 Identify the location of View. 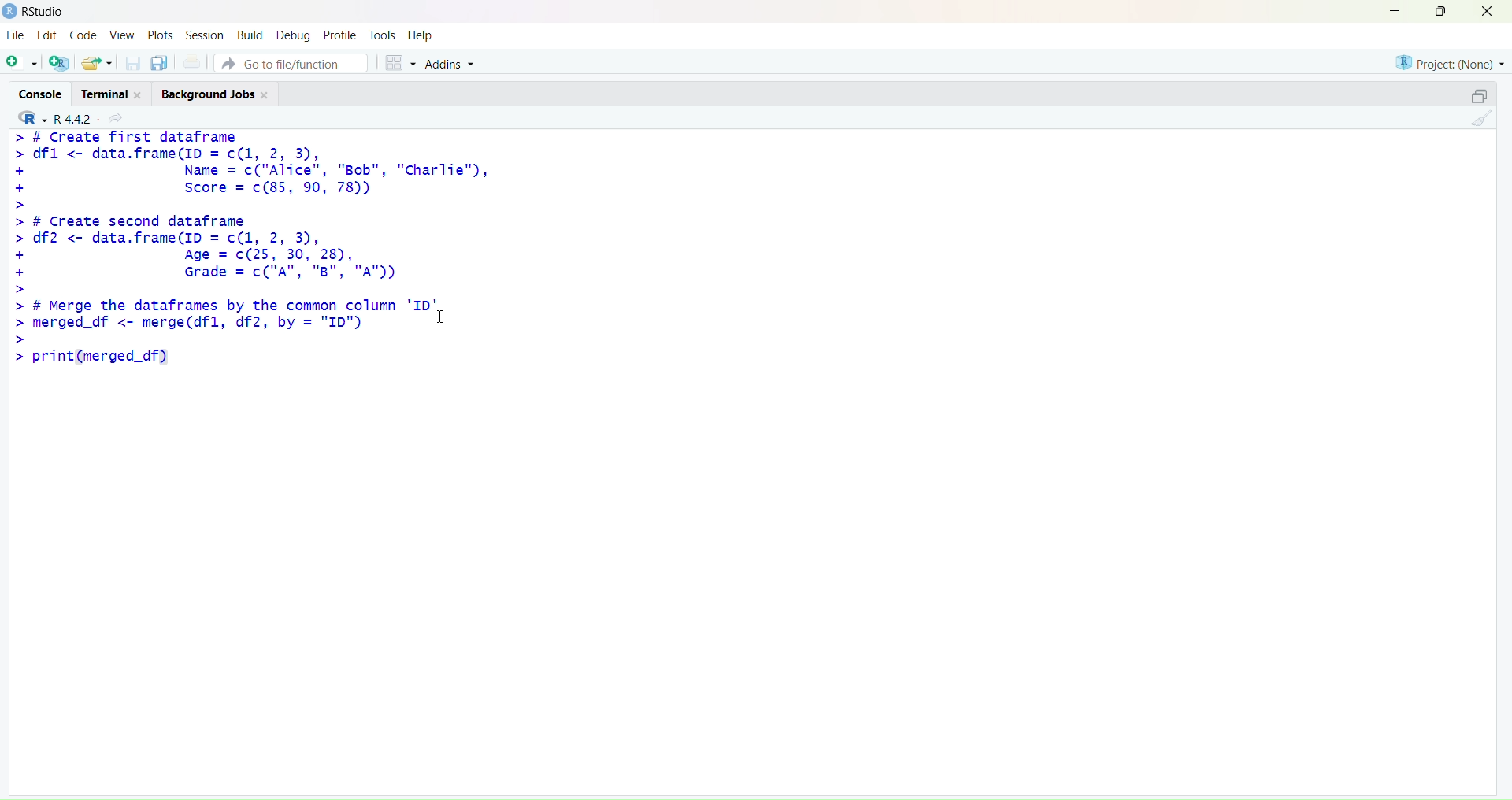
(123, 35).